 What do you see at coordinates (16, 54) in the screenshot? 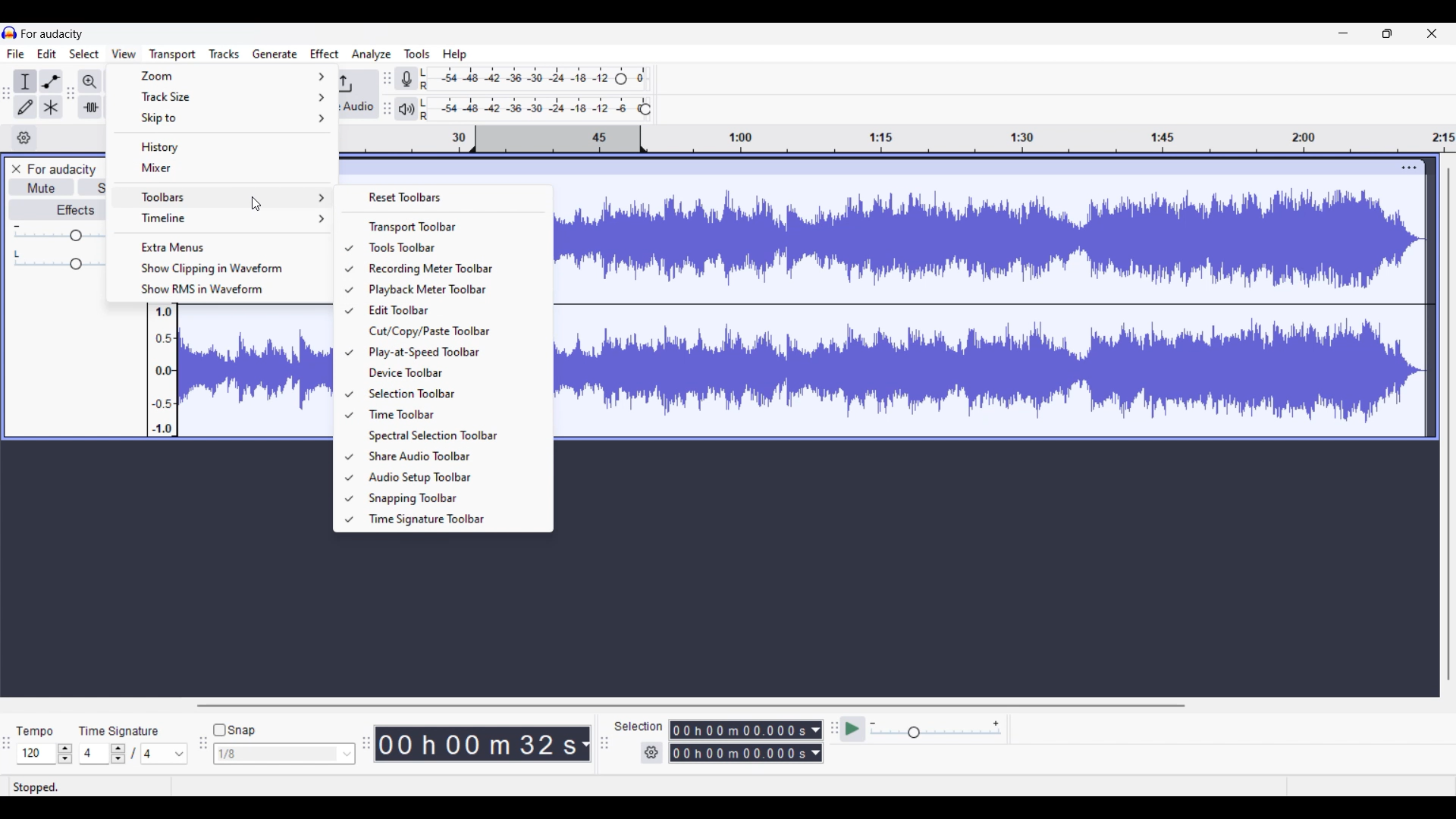
I see `File menu` at bounding box center [16, 54].